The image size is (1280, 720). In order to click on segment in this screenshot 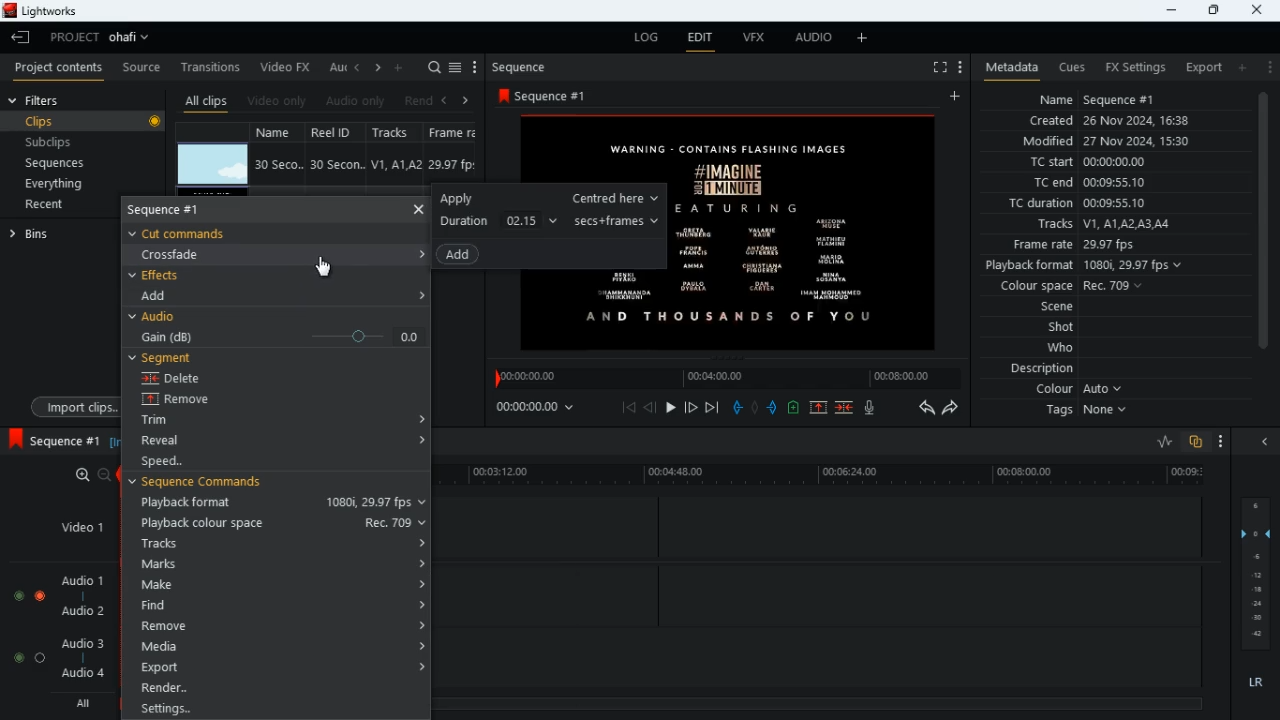, I will do `click(166, 358)`.